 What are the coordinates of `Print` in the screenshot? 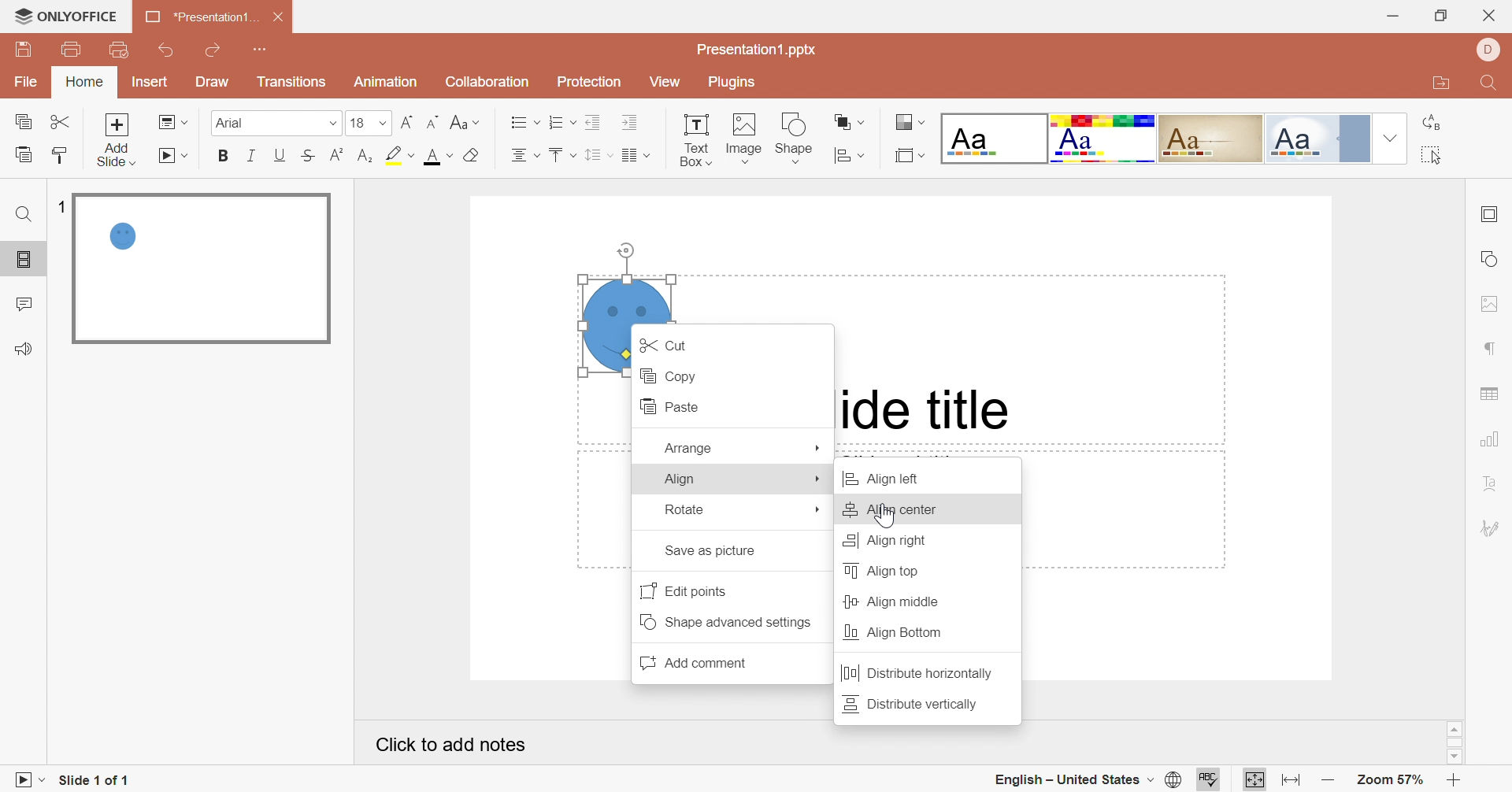 It's located at (70, 48).